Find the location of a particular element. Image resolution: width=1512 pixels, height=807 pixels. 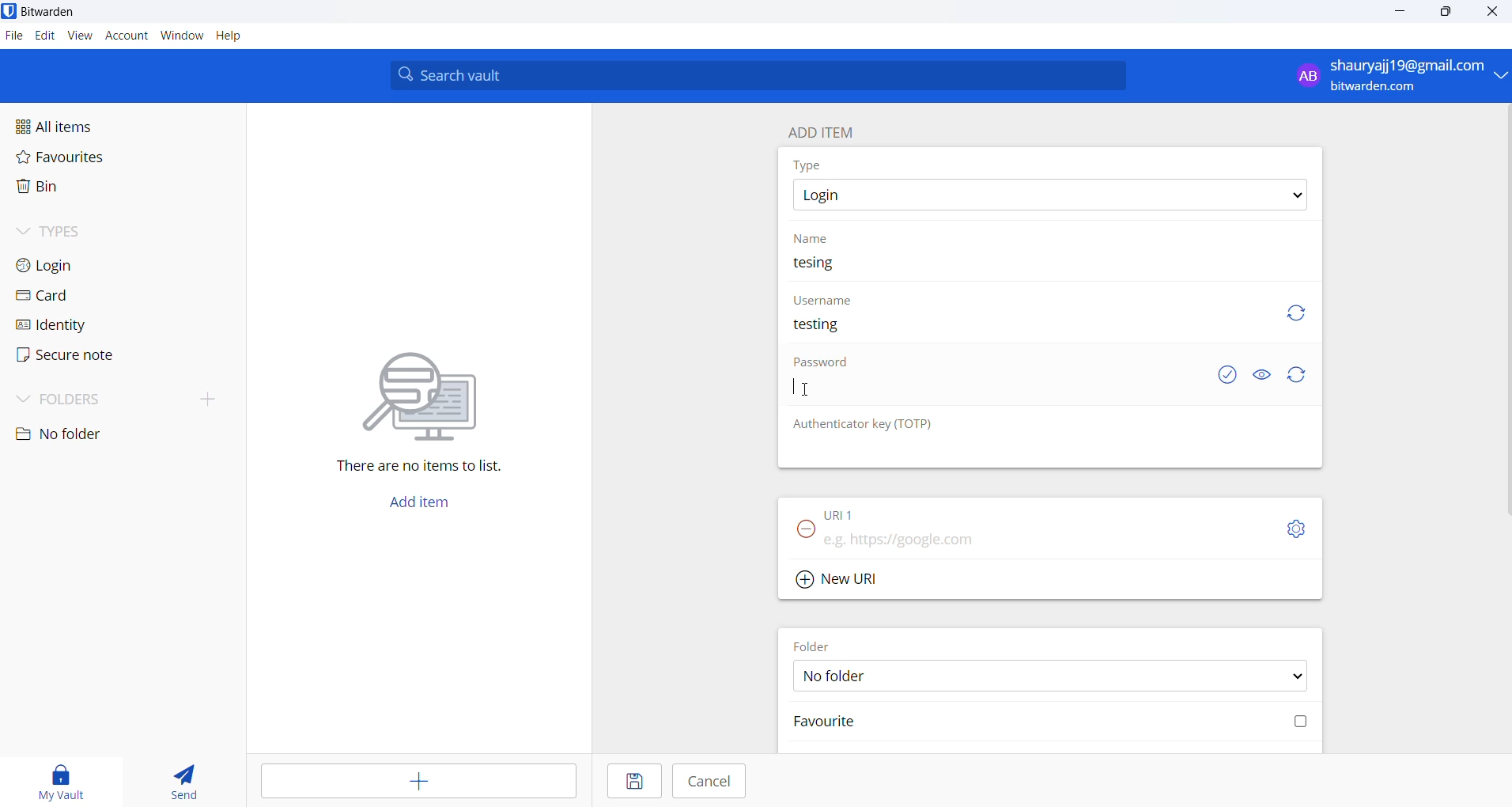

bin is located at coordinates (81, 191).